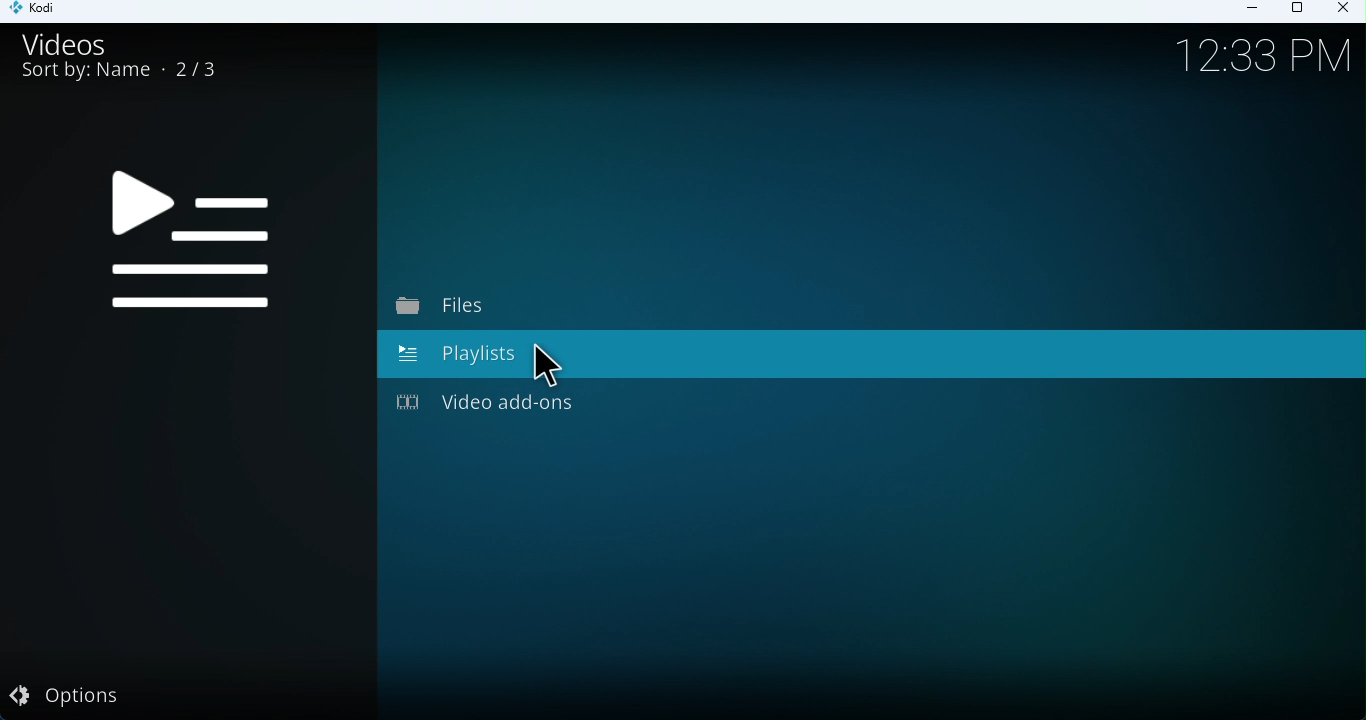 The height and width of the screenshot is (720, 1366). What do you see at coordinates (480, 310) in the screenshot?
I see `Files` at bounding box center [480, 310].